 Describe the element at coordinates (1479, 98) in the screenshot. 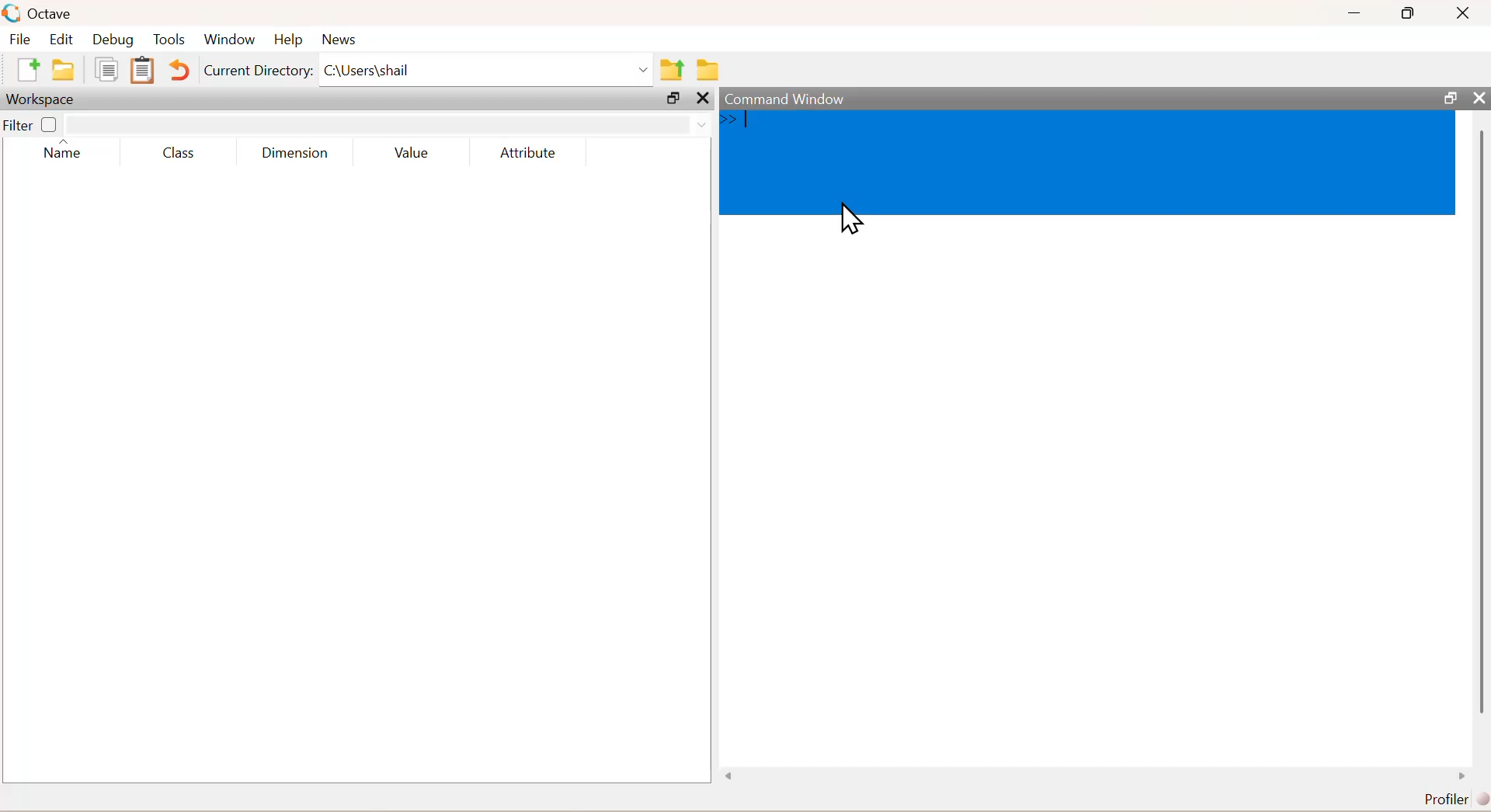

I see `close` at that location.